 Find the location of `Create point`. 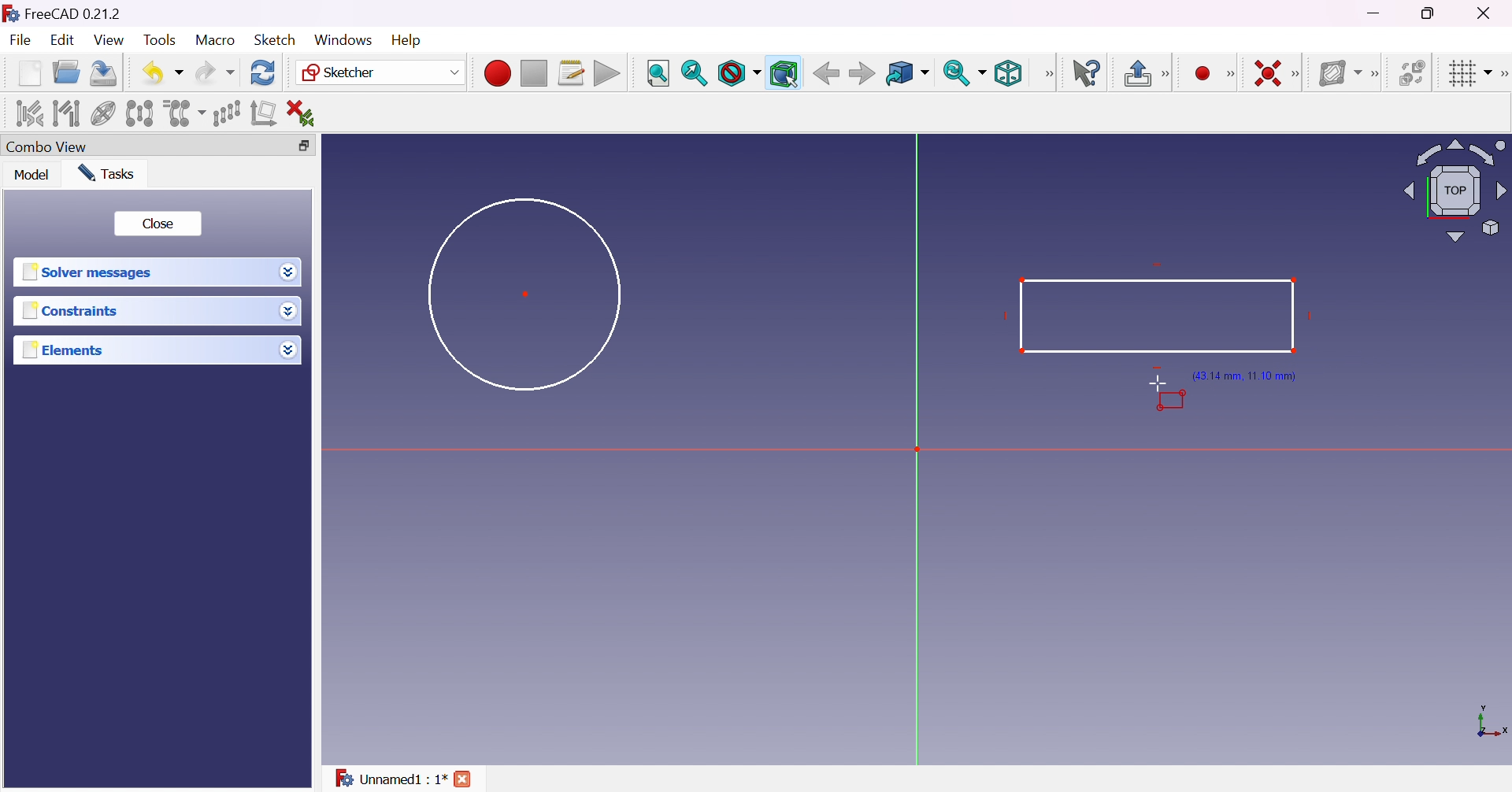

Create point is located at coordinates (1203, 74).